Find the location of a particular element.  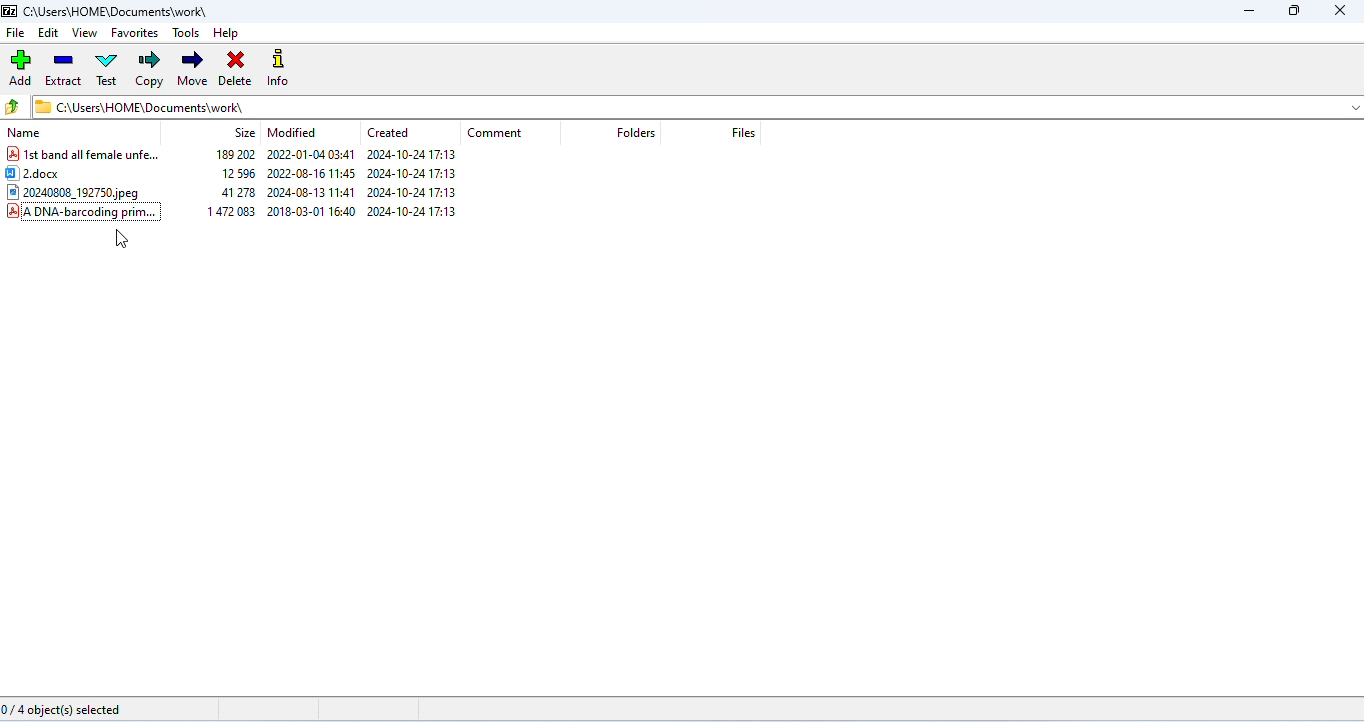

tools is located at coordinates (188, 32).